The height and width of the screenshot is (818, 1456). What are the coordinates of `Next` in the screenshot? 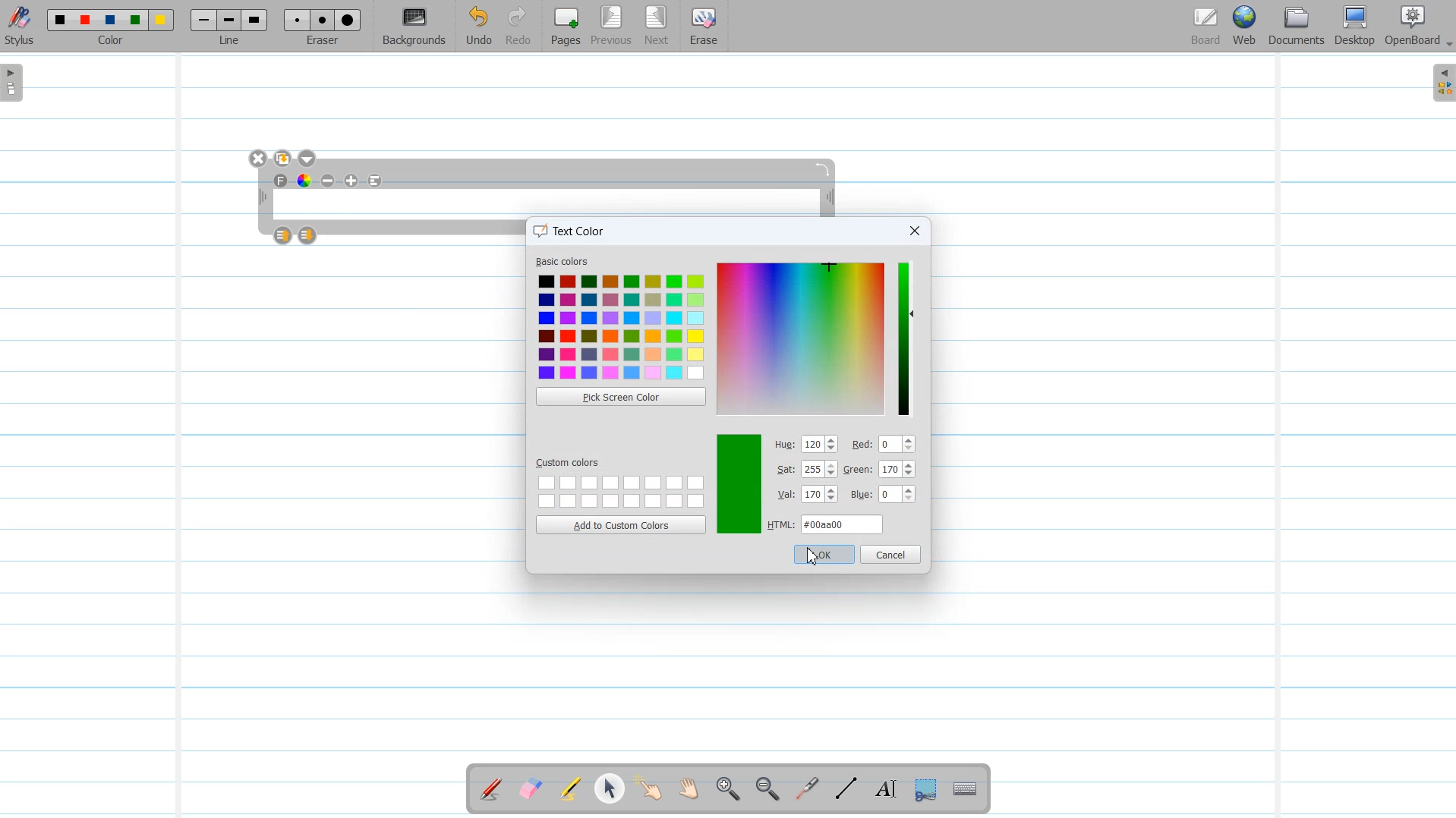 It's located at (657, 27).